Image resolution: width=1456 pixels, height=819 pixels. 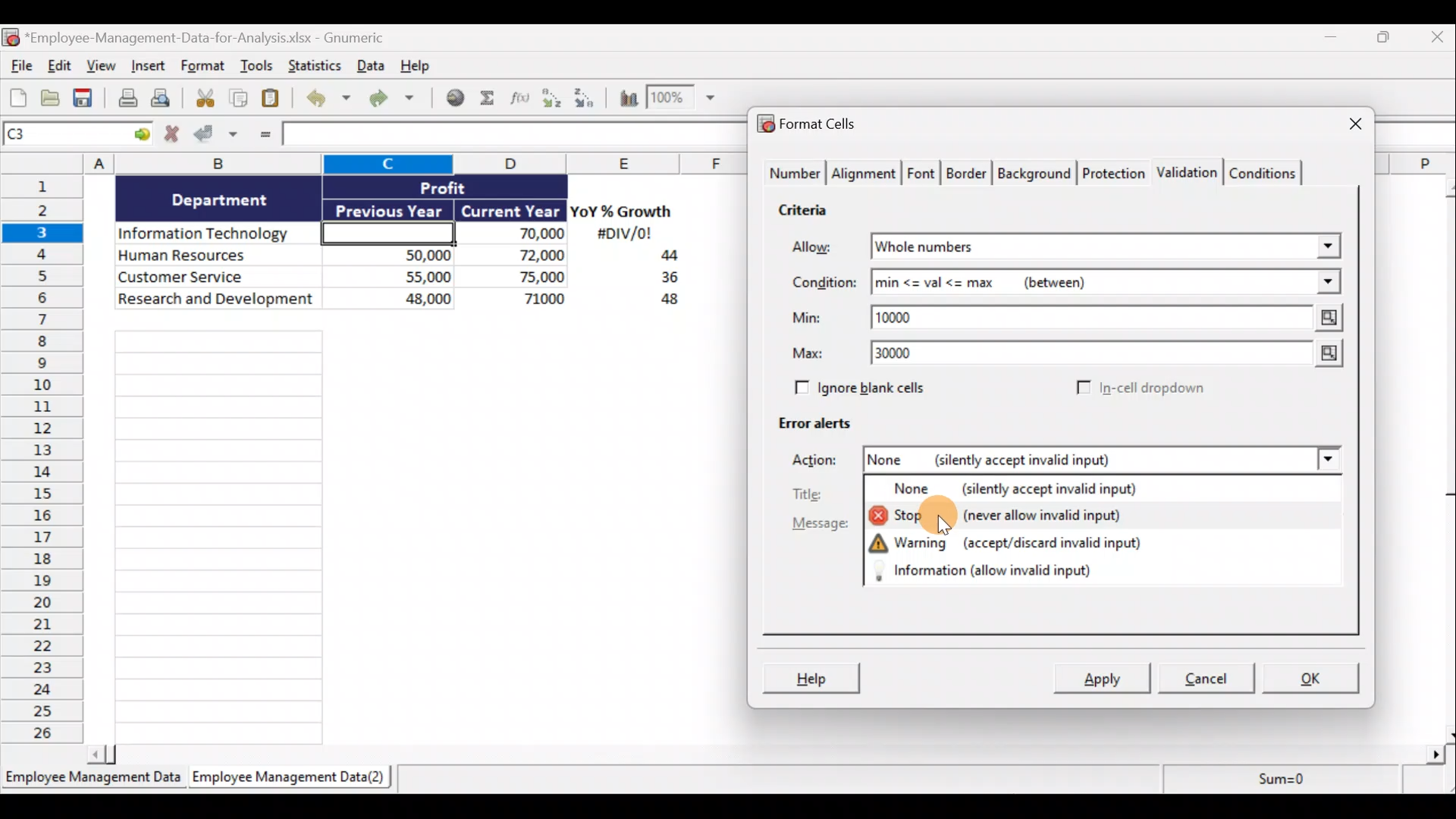 What do you see at coordinates (58, 67) in the screenshot?
I see `Edit` at bounding box center [58, 67].